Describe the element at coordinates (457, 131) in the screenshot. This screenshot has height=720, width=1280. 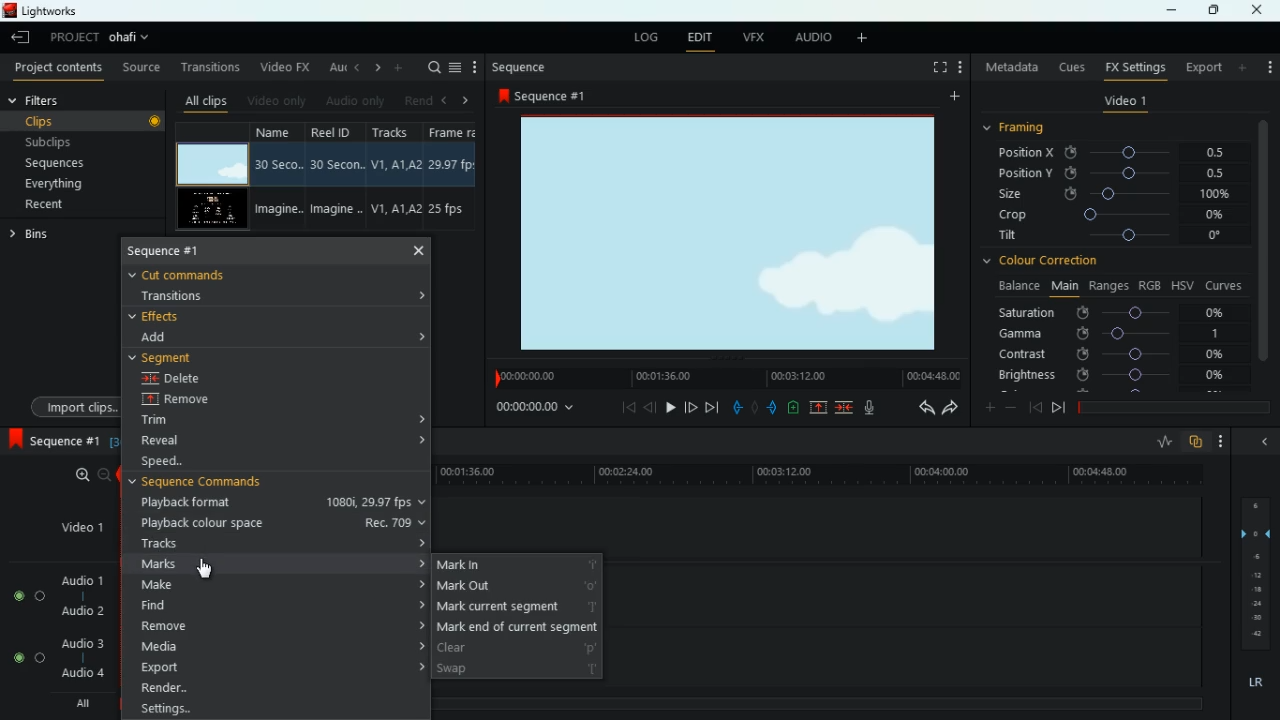
I see `frame` at that location.